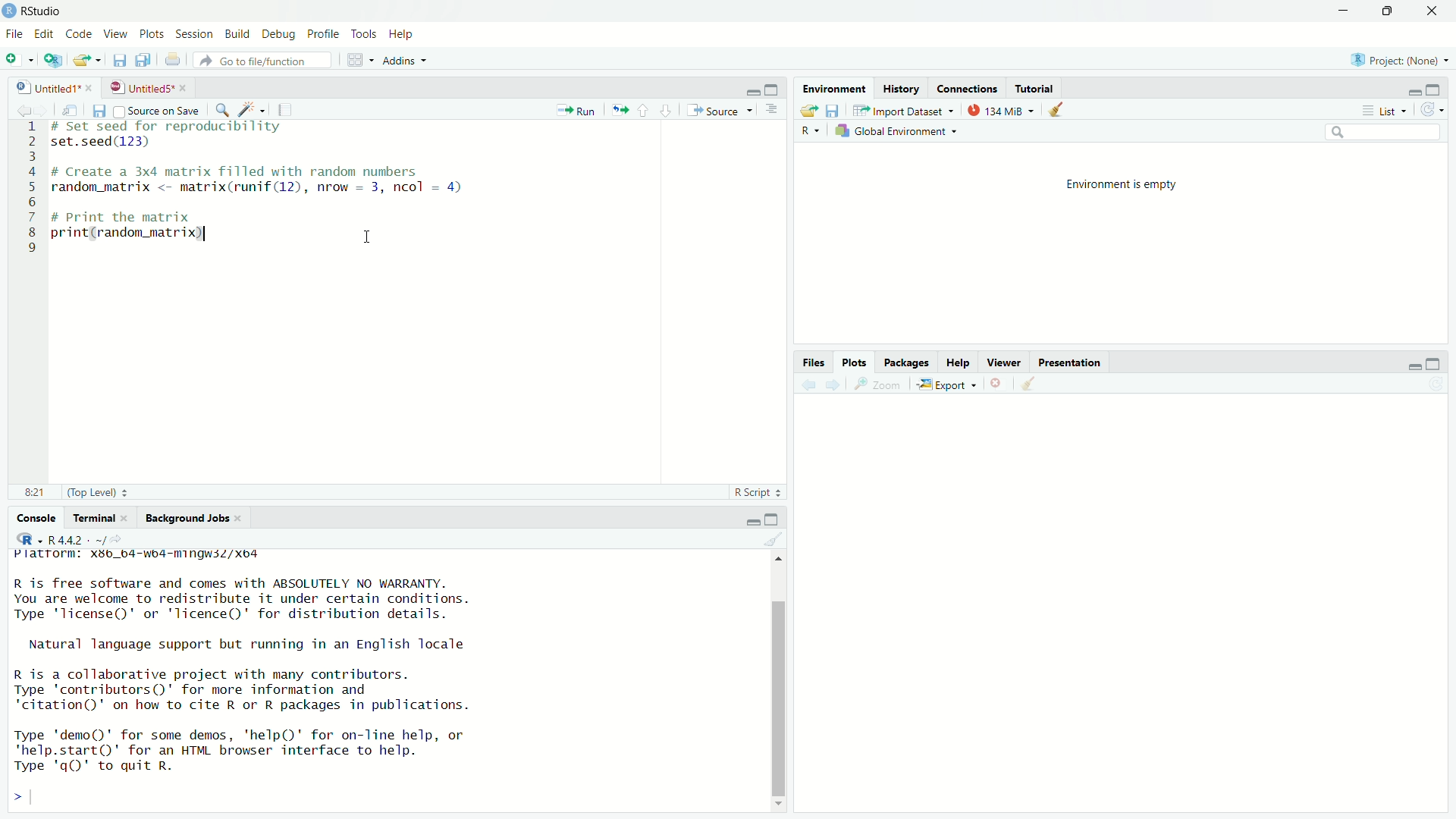 The width and height of the screenshot is (1456, 819). I want to click on UntitledS*, so click(144, 86).